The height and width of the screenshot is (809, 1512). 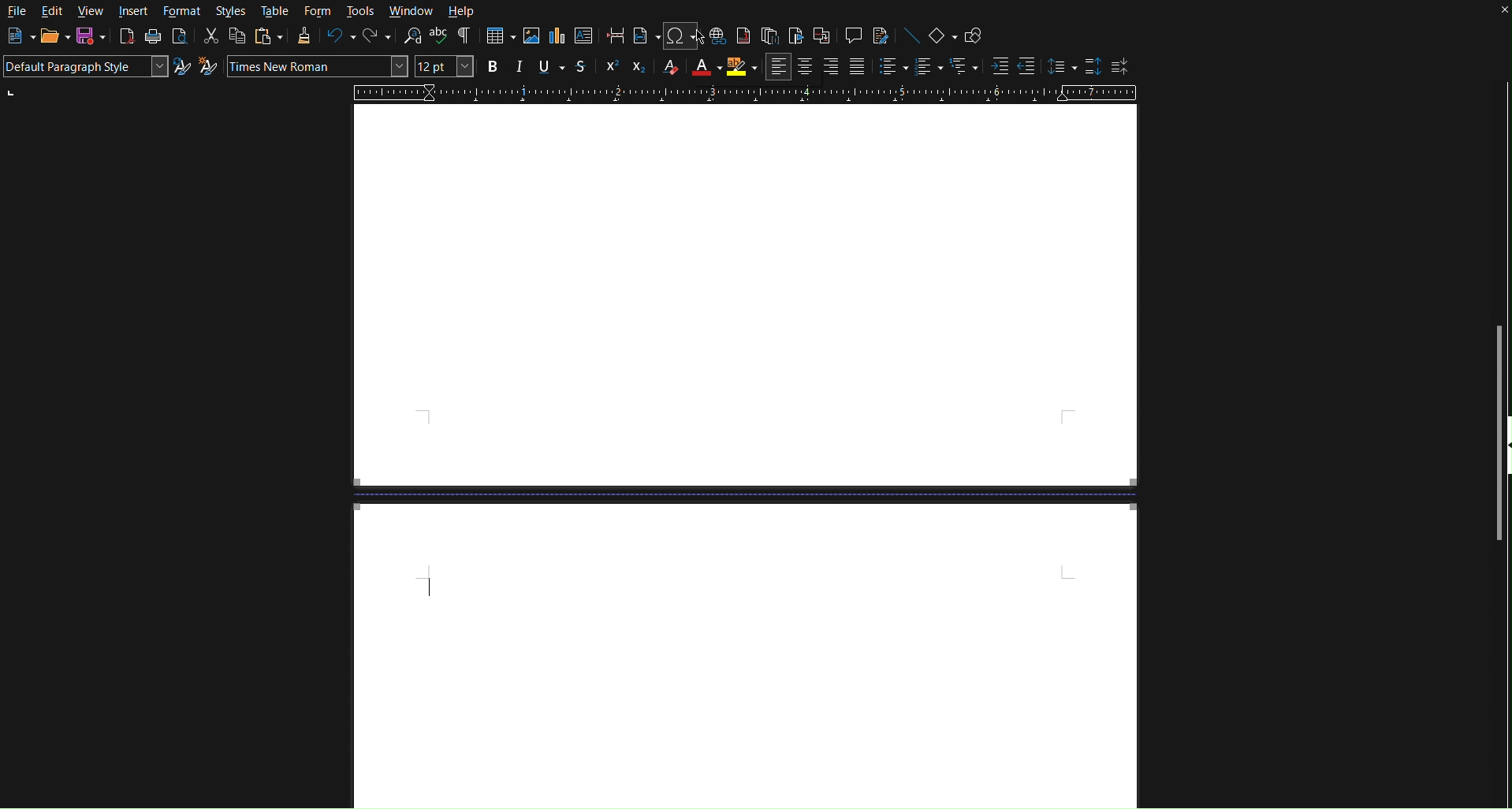 I want to click on Show Draw Functions, so click(x=971, y=32).